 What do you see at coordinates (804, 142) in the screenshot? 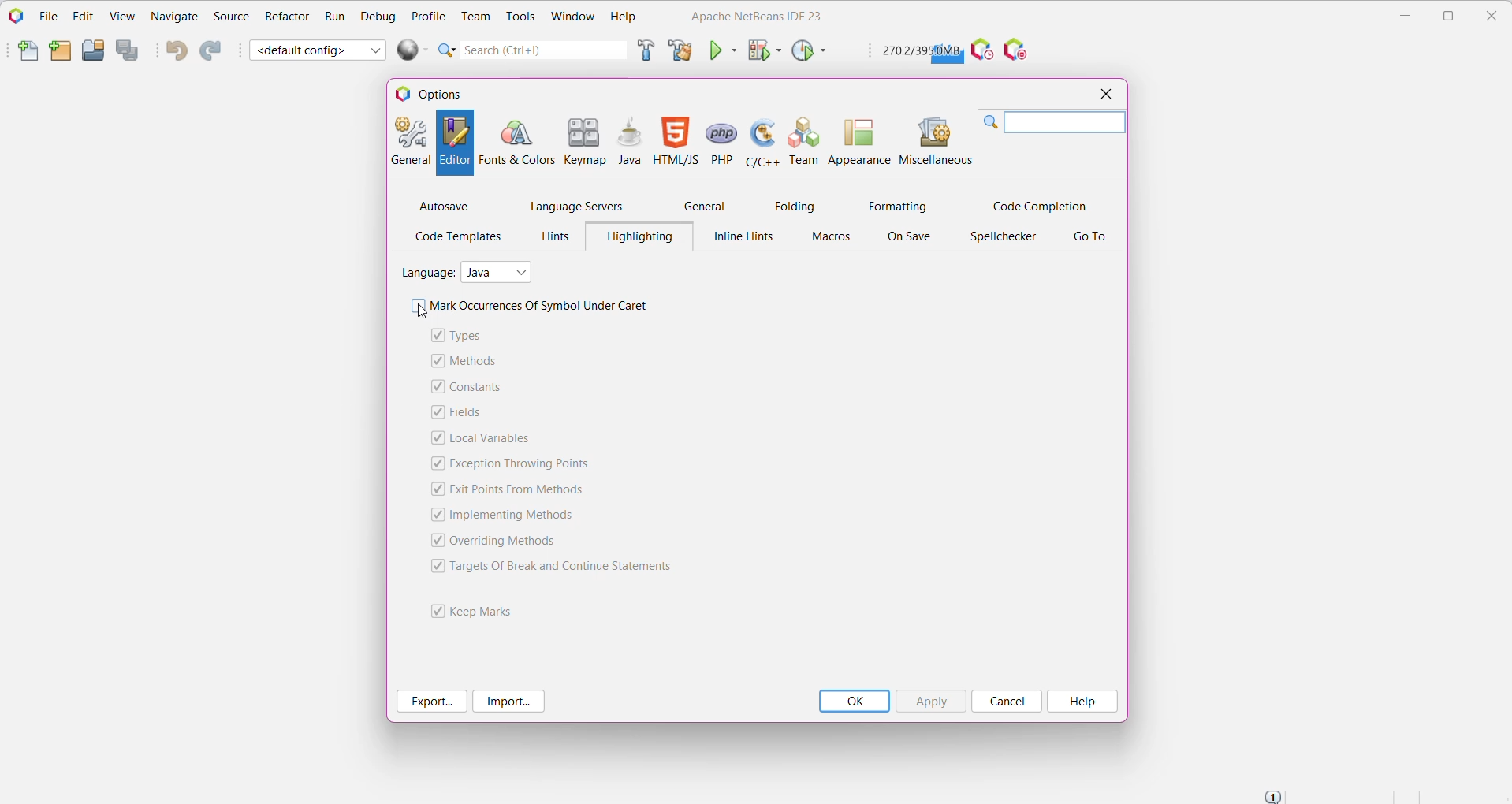
I see `Team` at bounding box center [804, 142].